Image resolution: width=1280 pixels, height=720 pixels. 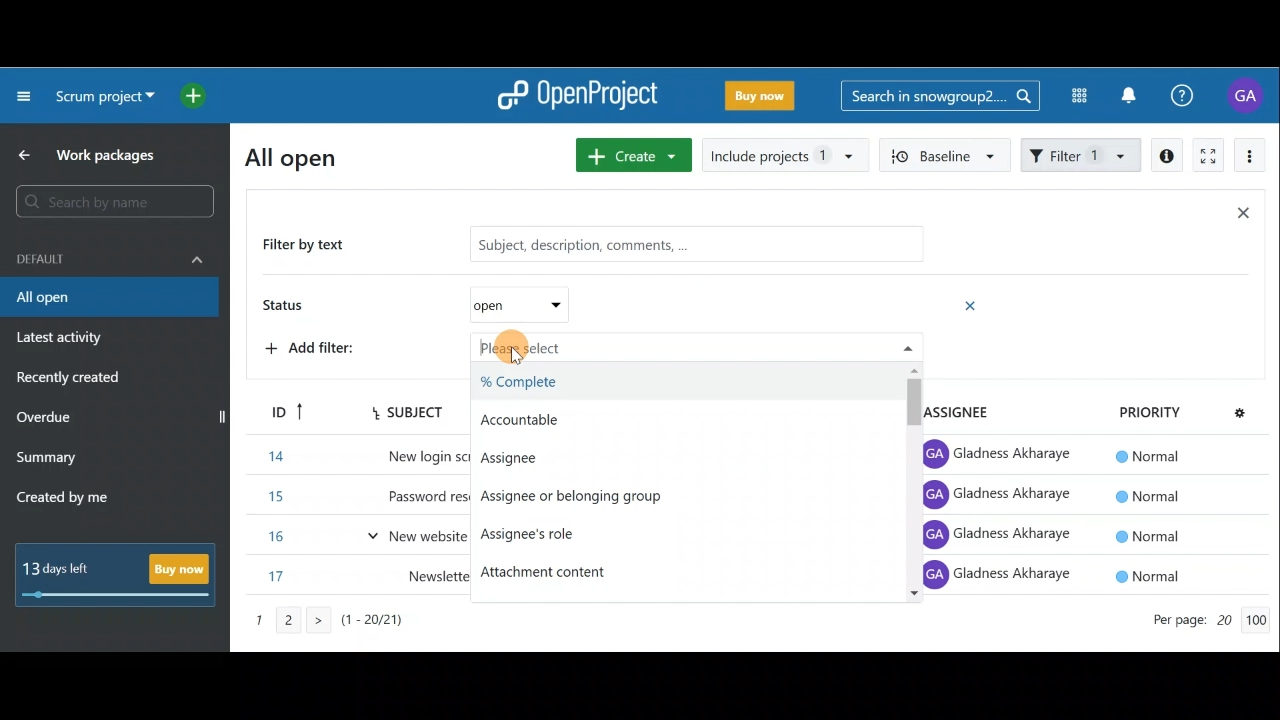 I want to click on Create, so click(x=630, y=155).